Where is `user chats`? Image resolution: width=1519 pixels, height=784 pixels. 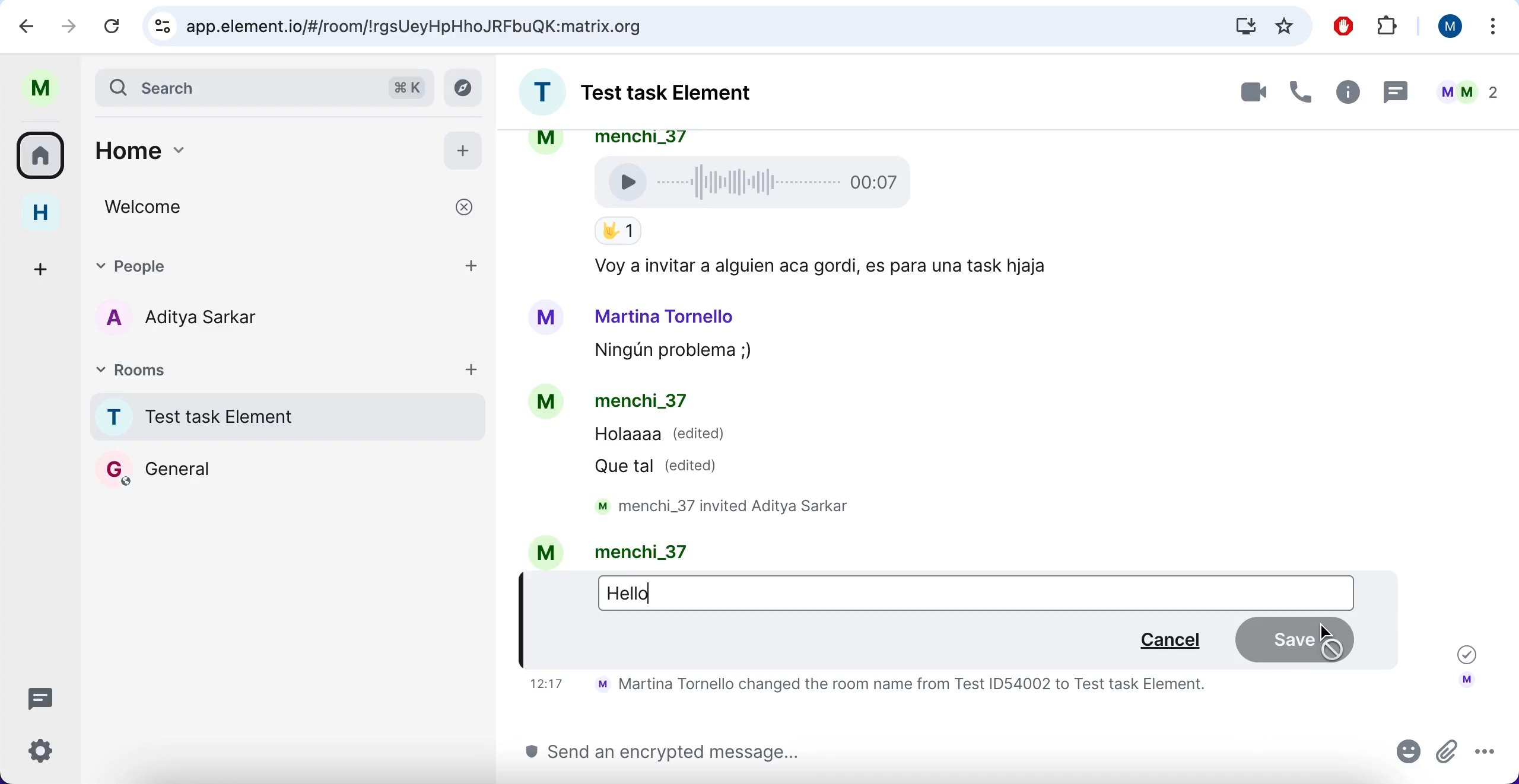 user chats is located at coordinates (1470, 94).